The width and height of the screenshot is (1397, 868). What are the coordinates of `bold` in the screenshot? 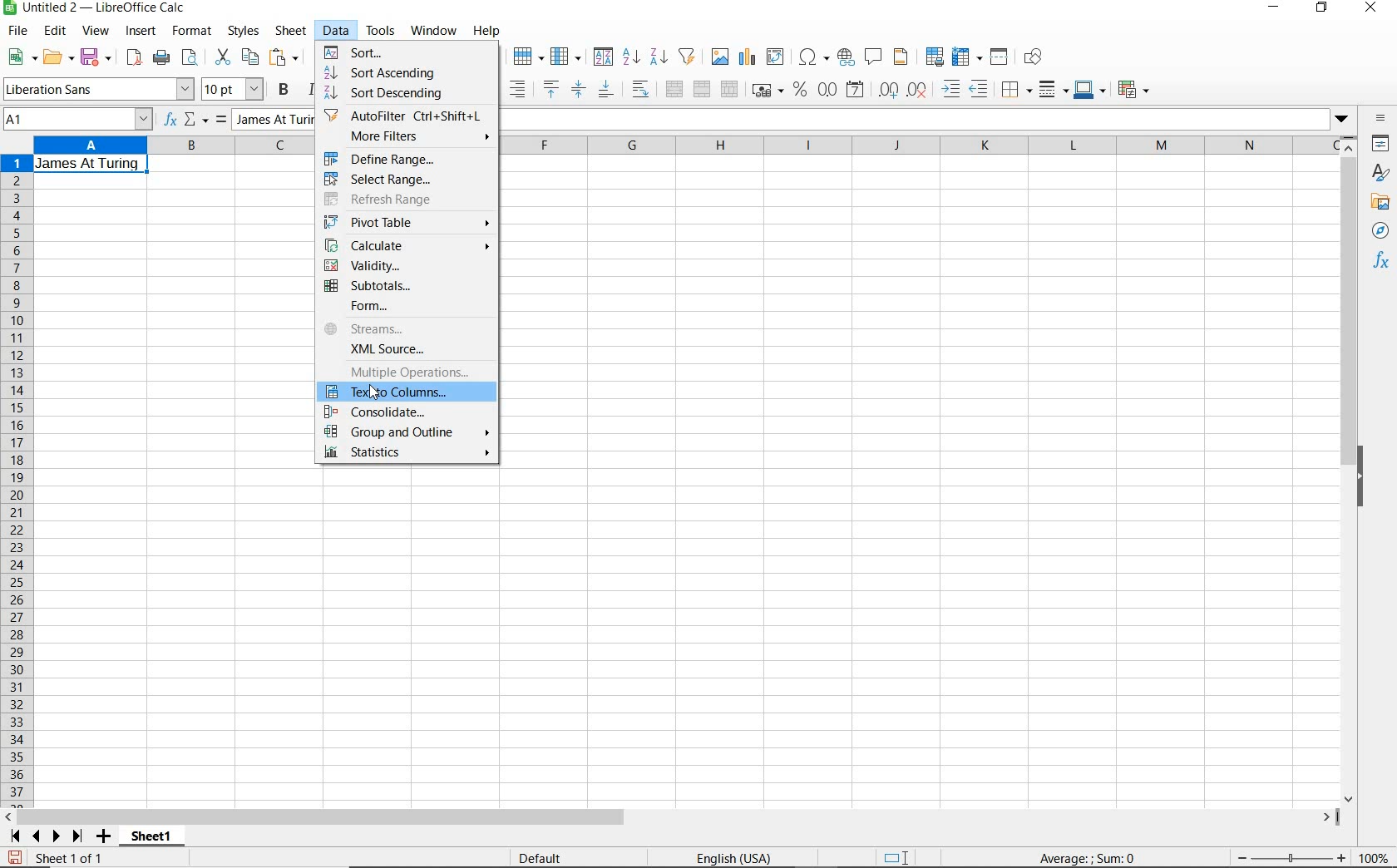 It's located at (284, 90).